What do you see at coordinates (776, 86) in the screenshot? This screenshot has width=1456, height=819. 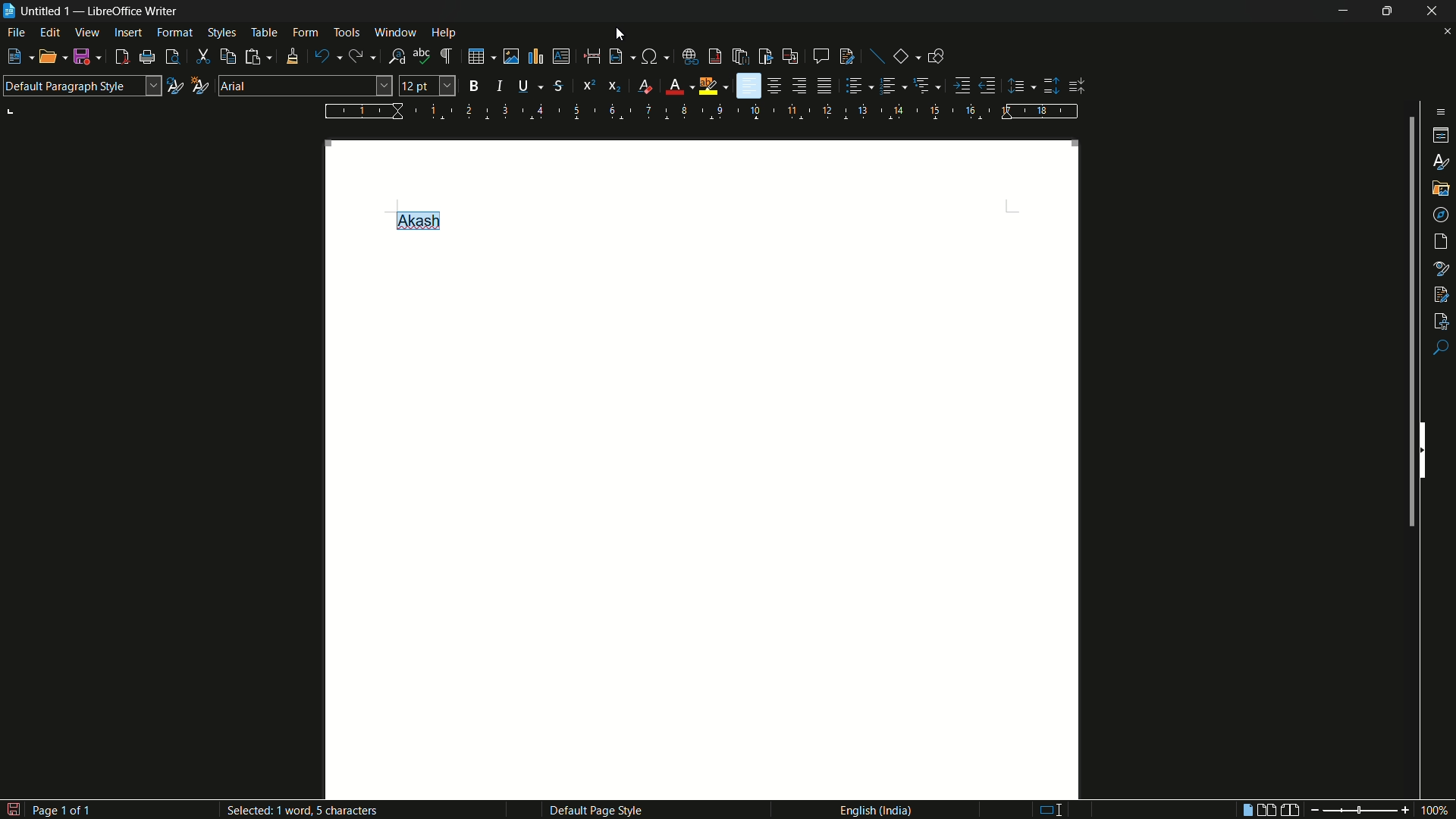 I see `align center` at bounding box center [776, 86].